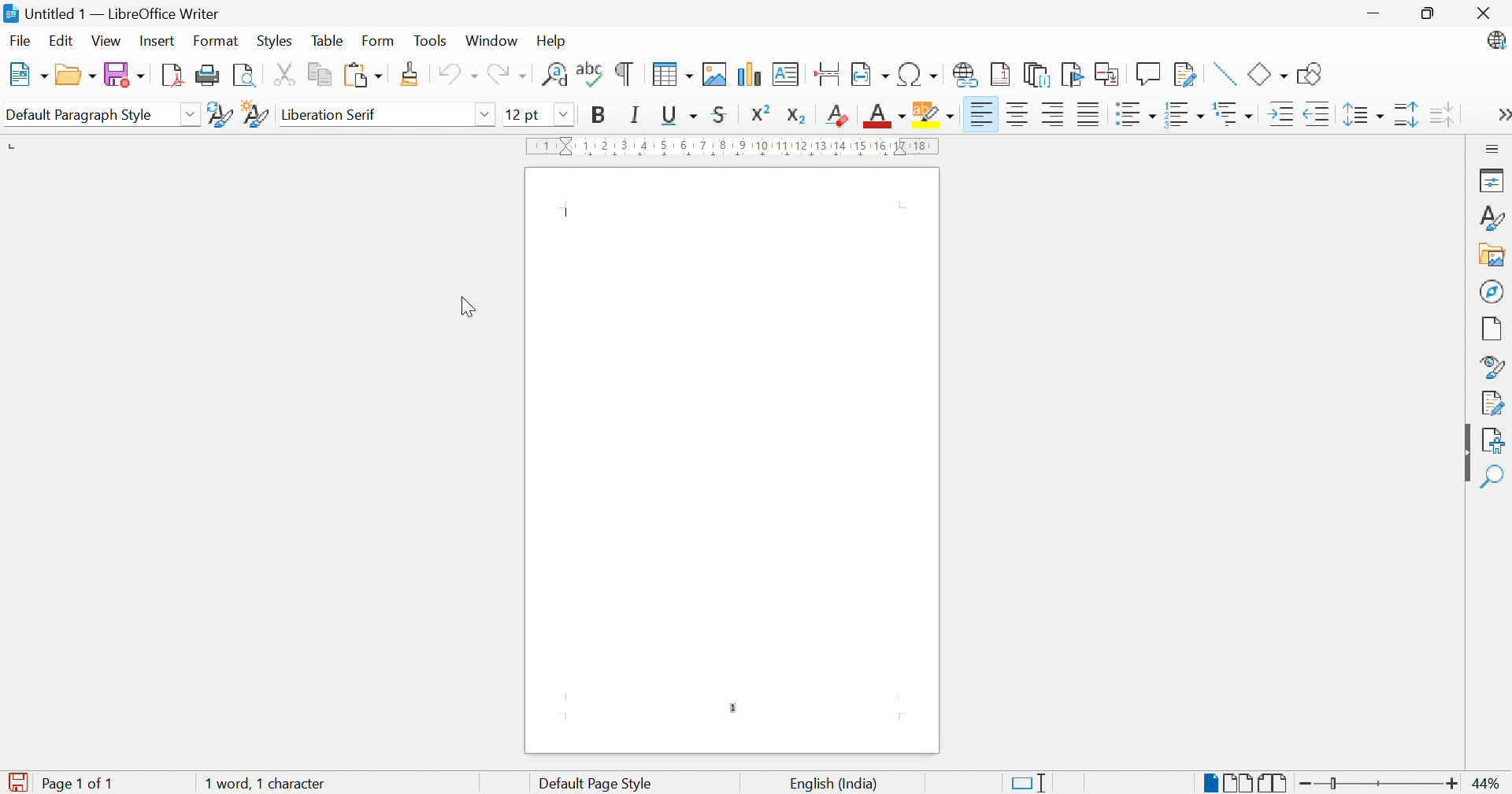  I want to click on Insert footnote, so click(1002, 74).